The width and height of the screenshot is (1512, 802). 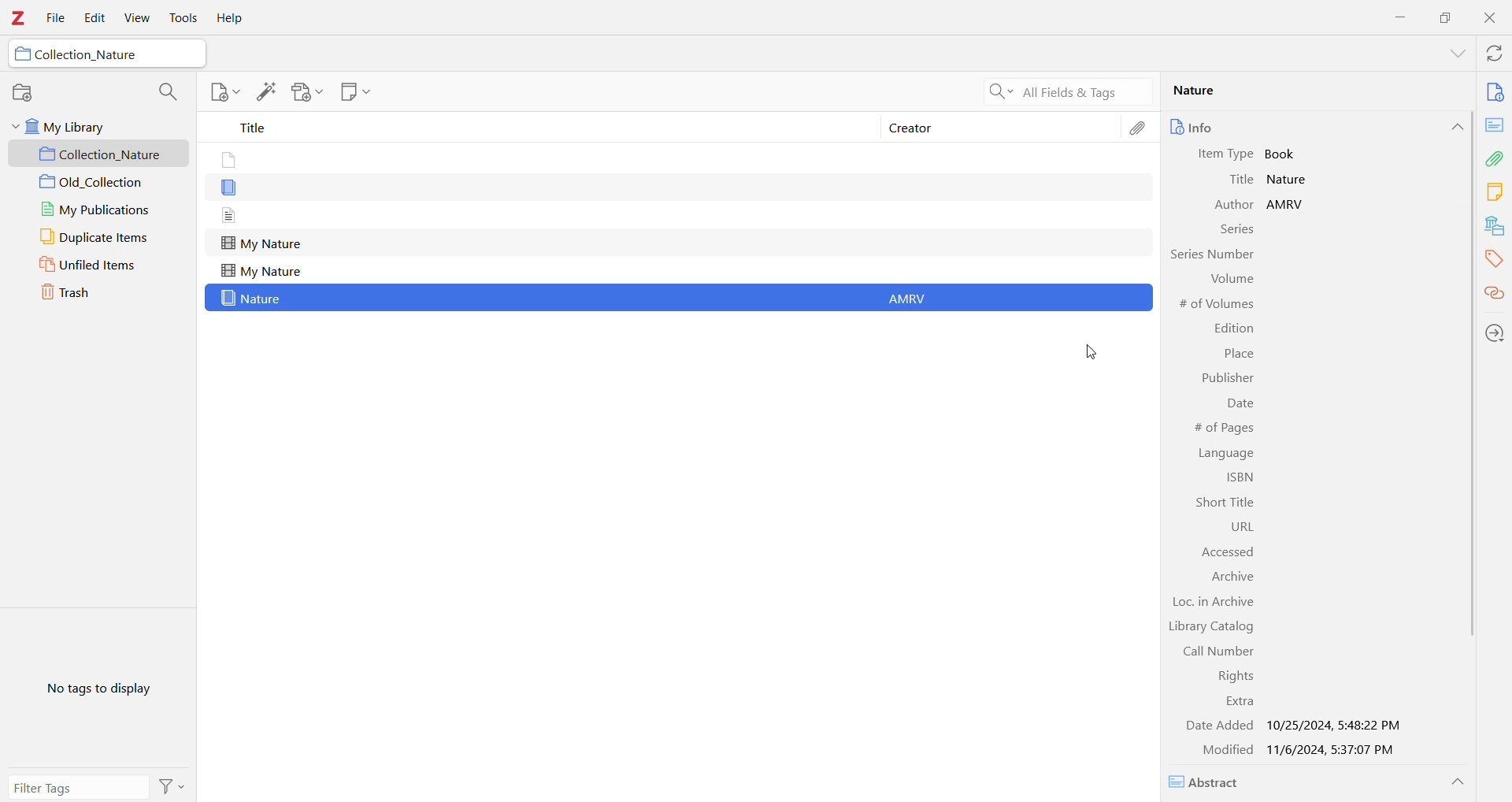 I want to click on # of Volumes, so click(x=1218, y=305).